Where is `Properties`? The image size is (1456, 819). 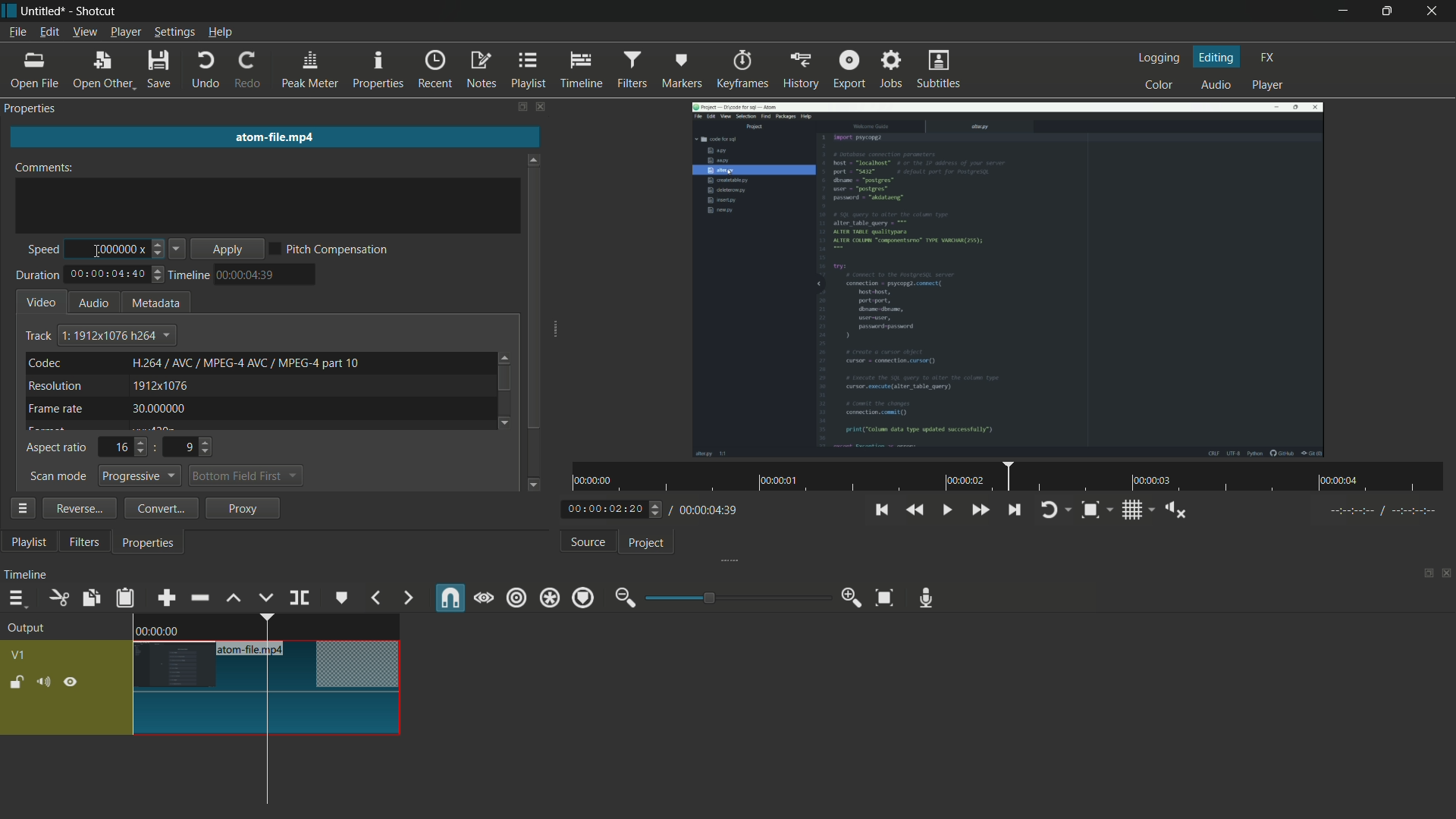 Properties is located at coordinates (37, 108).